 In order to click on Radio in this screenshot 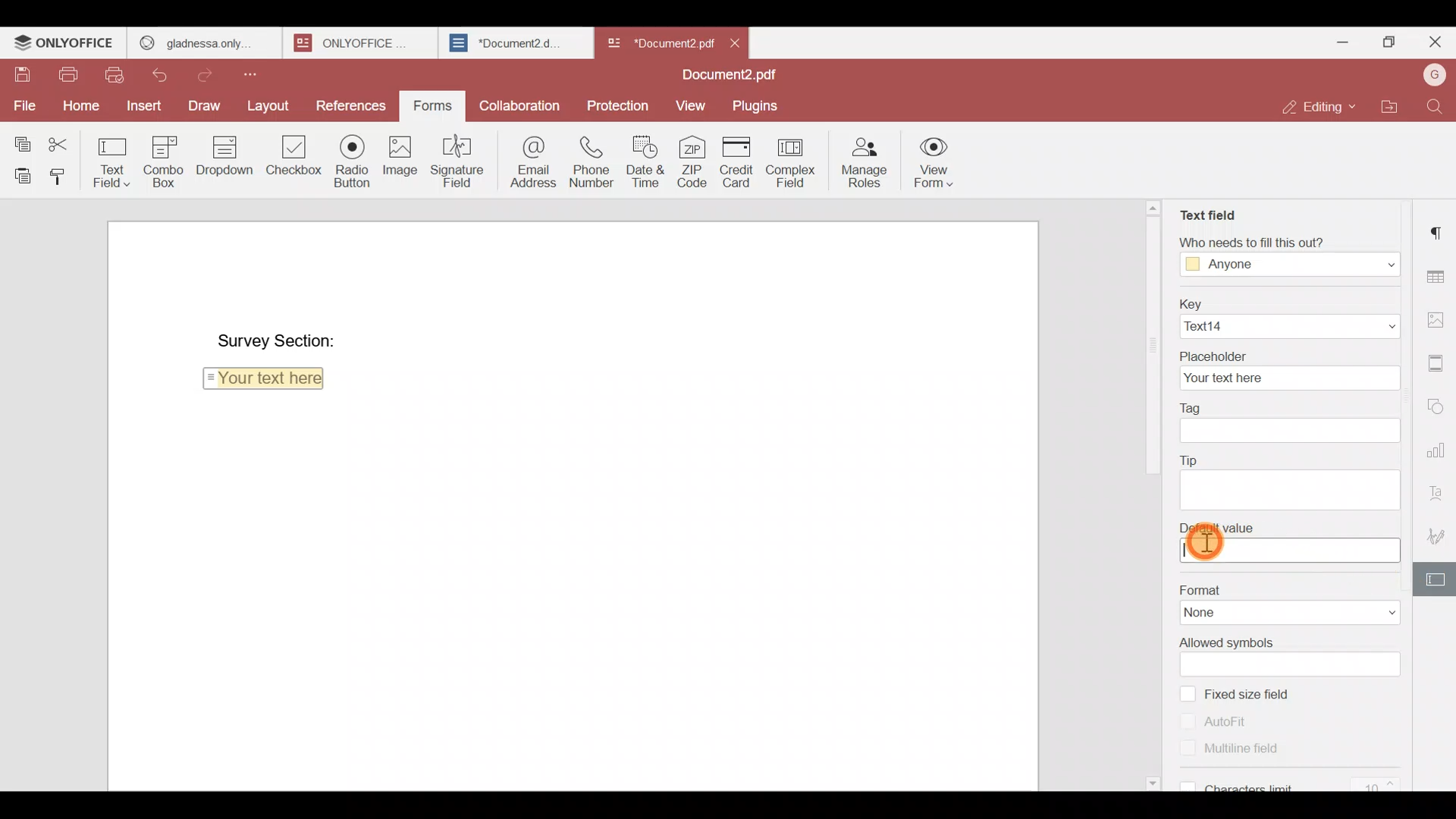, I will do `click(351, 158)`.